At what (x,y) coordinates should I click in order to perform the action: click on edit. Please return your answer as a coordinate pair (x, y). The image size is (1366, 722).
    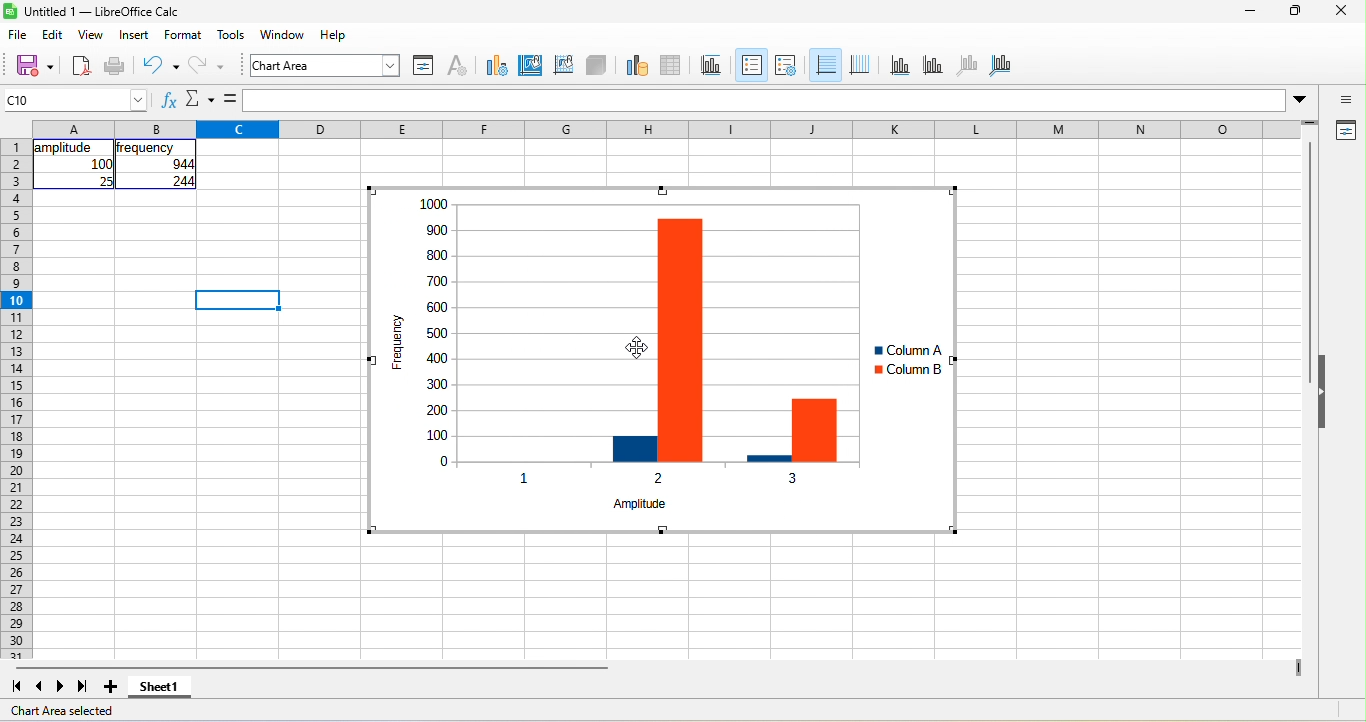
    Looking at the image, I should click on (53, 34).